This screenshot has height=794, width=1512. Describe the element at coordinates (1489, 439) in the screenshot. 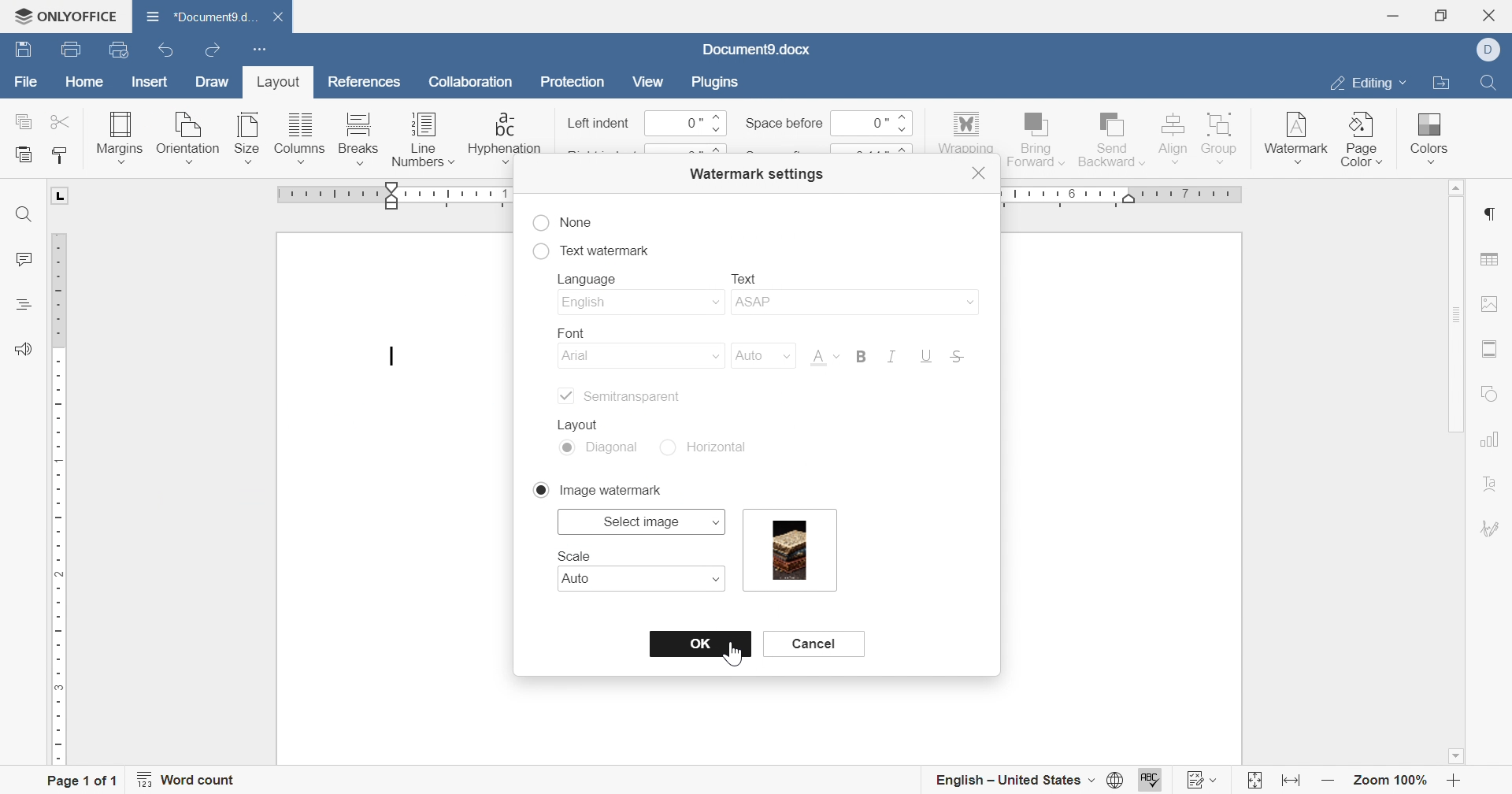

I see `chart settings` at that location.